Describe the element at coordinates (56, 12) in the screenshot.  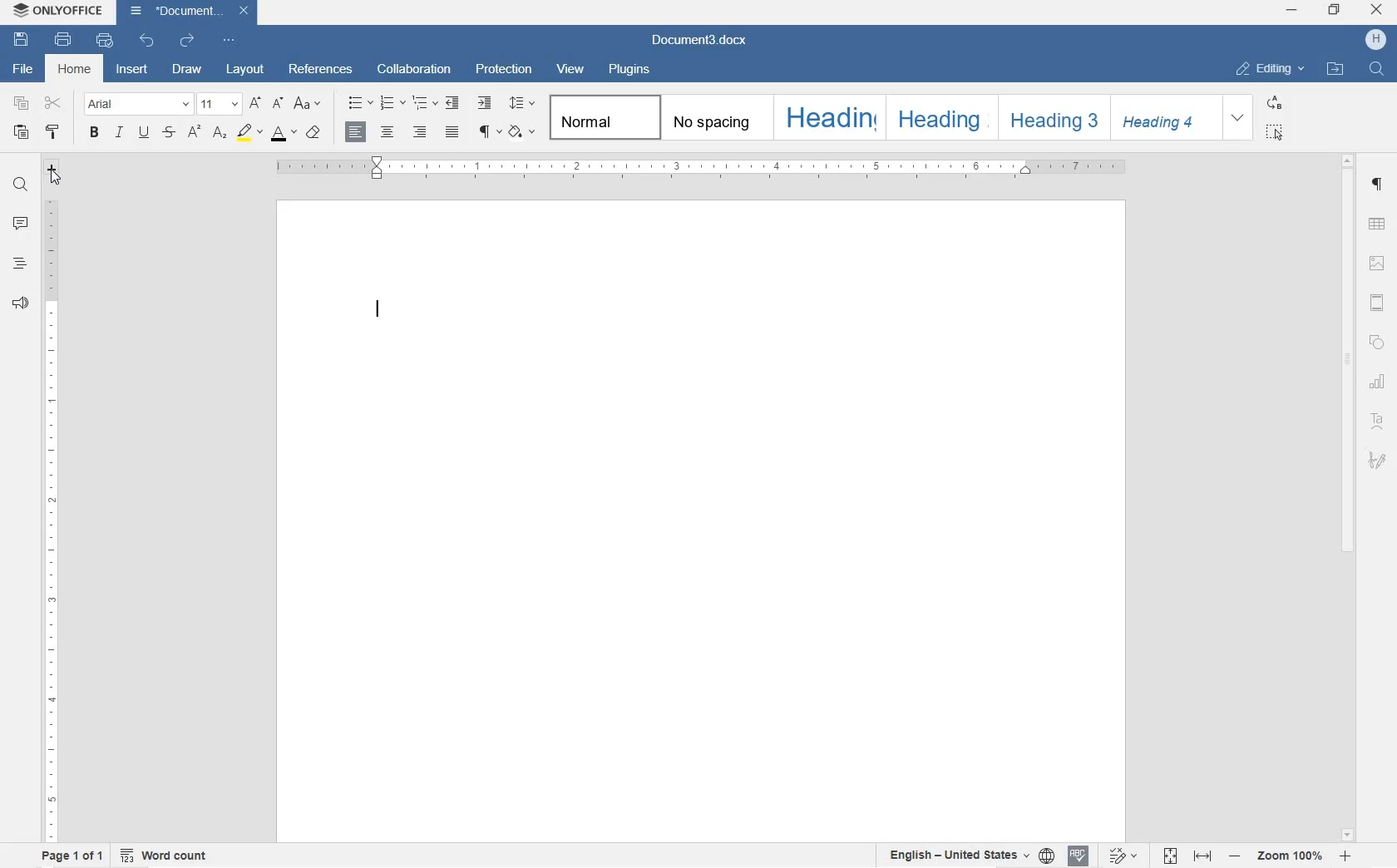
I see `SYSTEM NAME` at that location.